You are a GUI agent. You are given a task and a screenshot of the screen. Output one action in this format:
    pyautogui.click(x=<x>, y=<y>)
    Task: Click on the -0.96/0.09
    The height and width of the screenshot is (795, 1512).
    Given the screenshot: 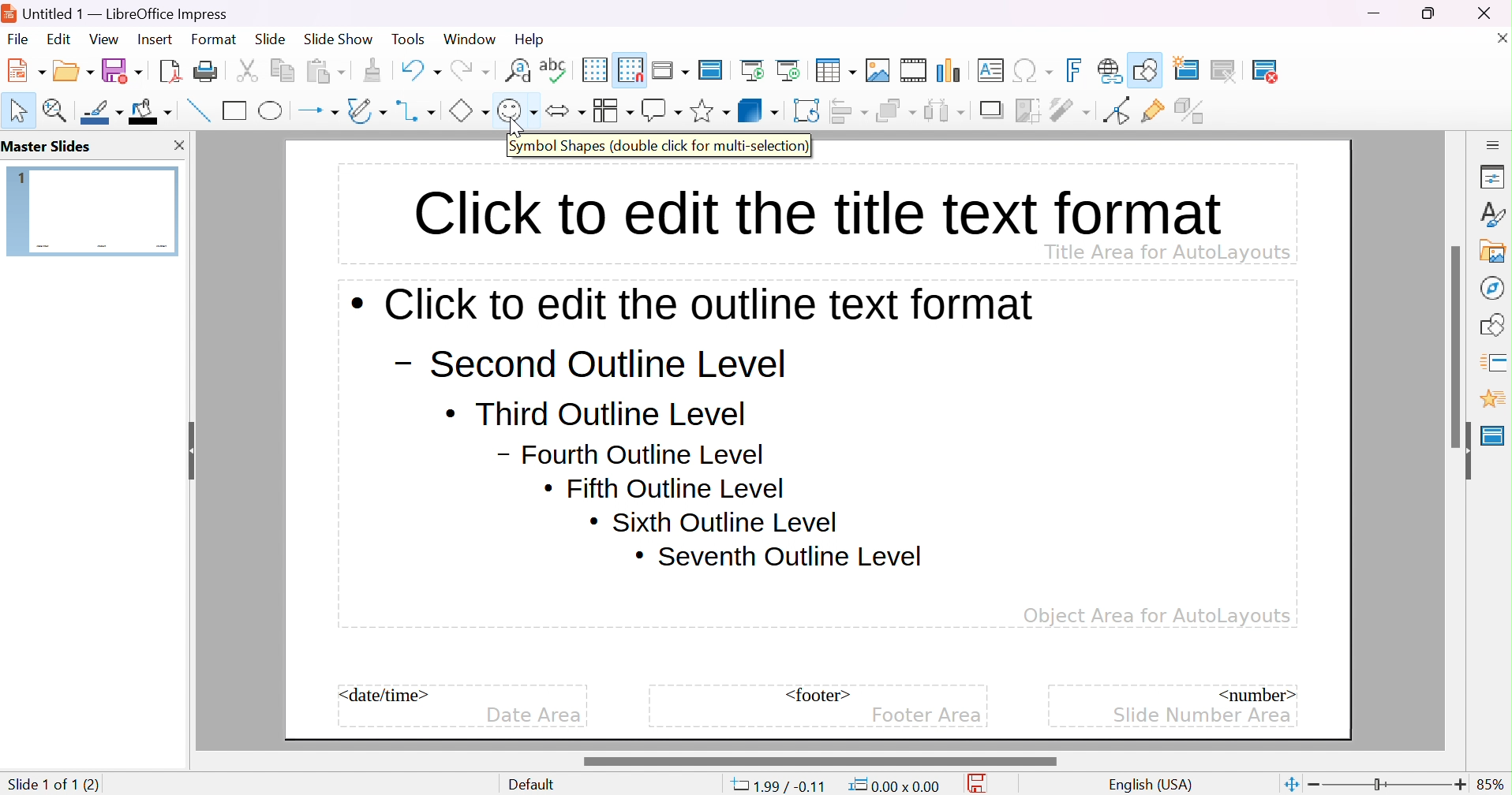 What is the action you would take?
    pyautogui.click(x=783, y=786)
    